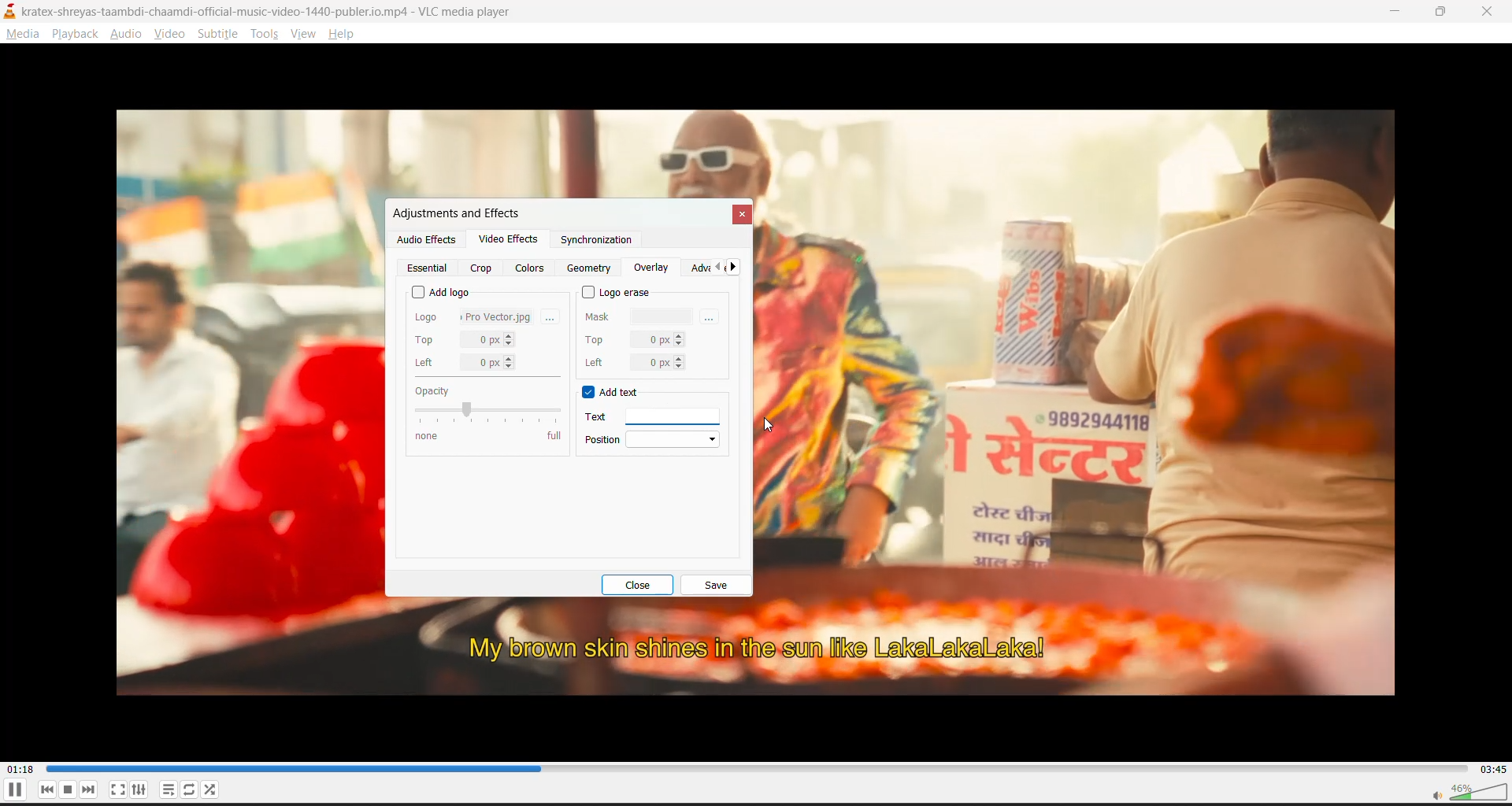 This screenshot has width=1512, height=806. What do you see at coordinates (651, 268) in the screenshot?
I see `overlay` at bounding box center [651, 268].